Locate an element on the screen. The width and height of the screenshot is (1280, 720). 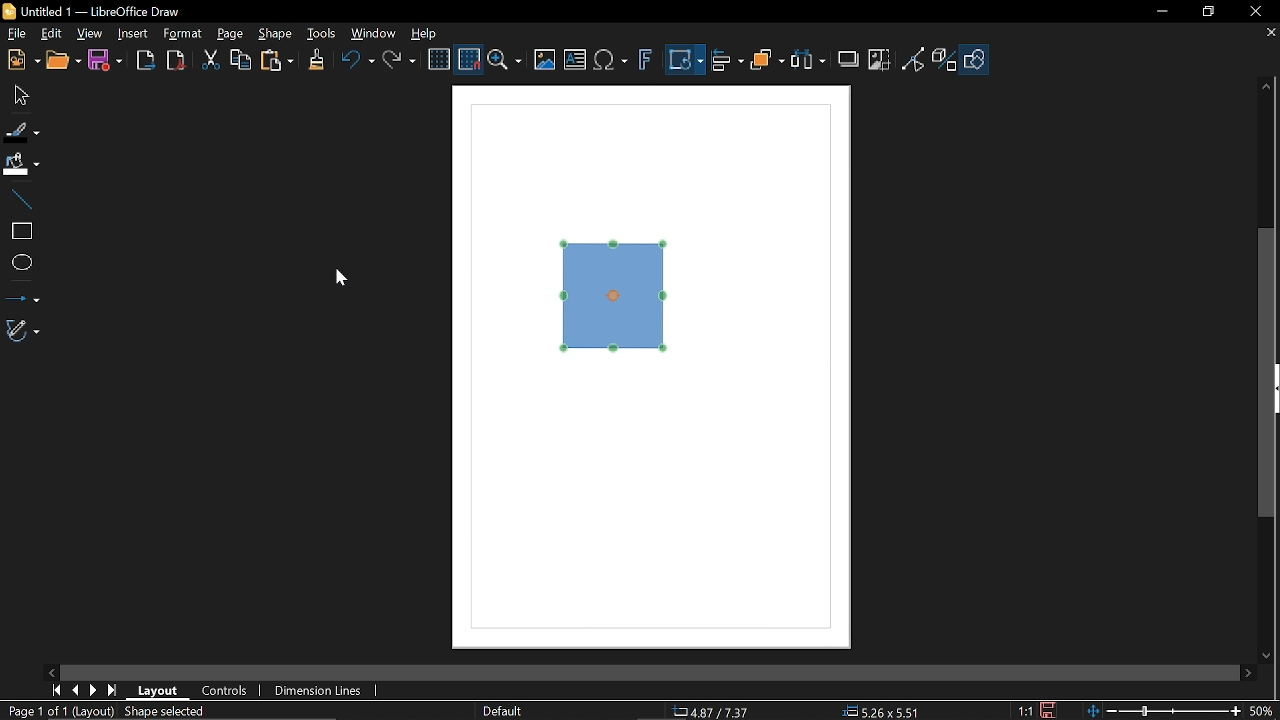
View is located at coordinates (88, 35).